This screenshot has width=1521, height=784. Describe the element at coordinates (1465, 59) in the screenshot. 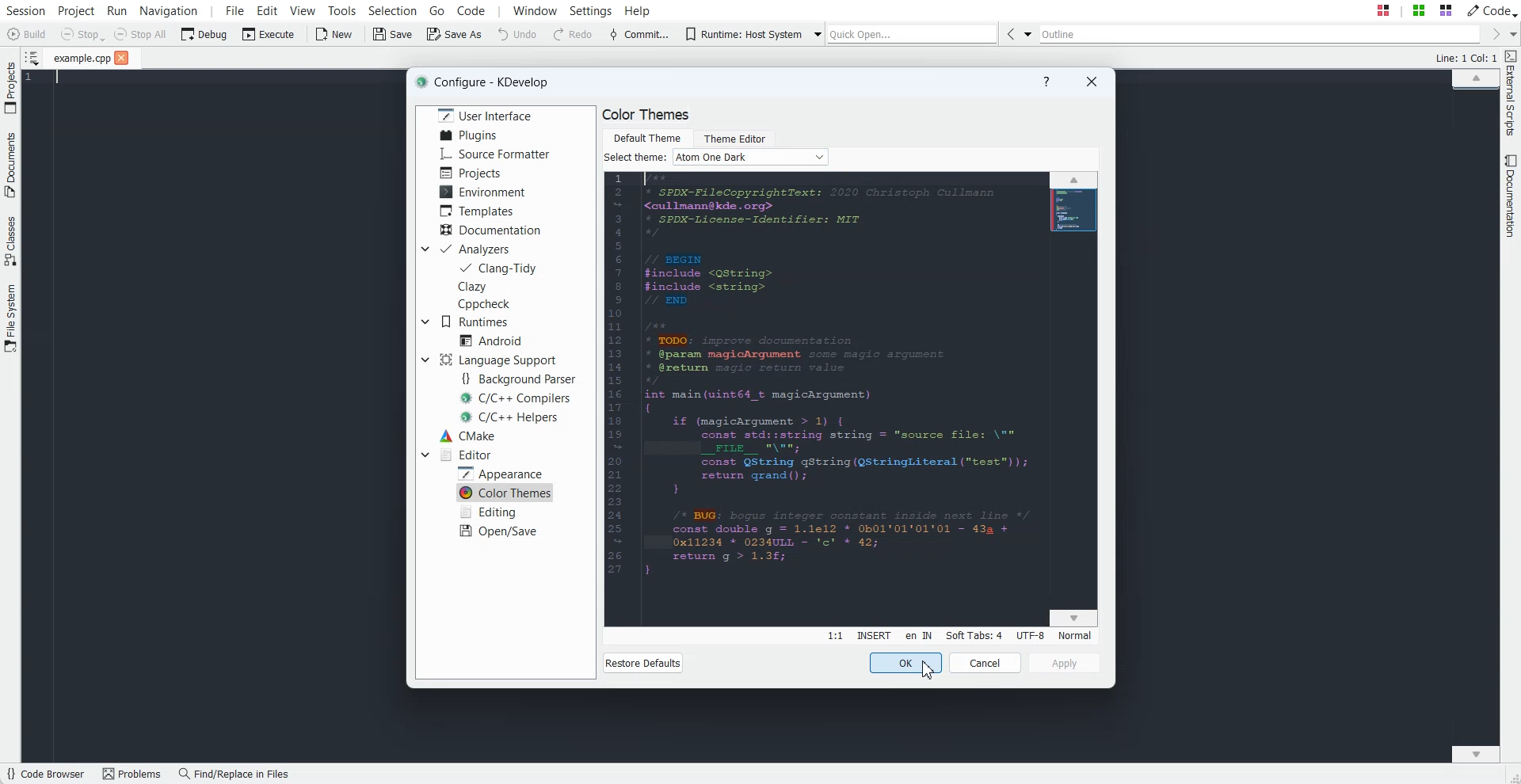

I see `Text` at that location.